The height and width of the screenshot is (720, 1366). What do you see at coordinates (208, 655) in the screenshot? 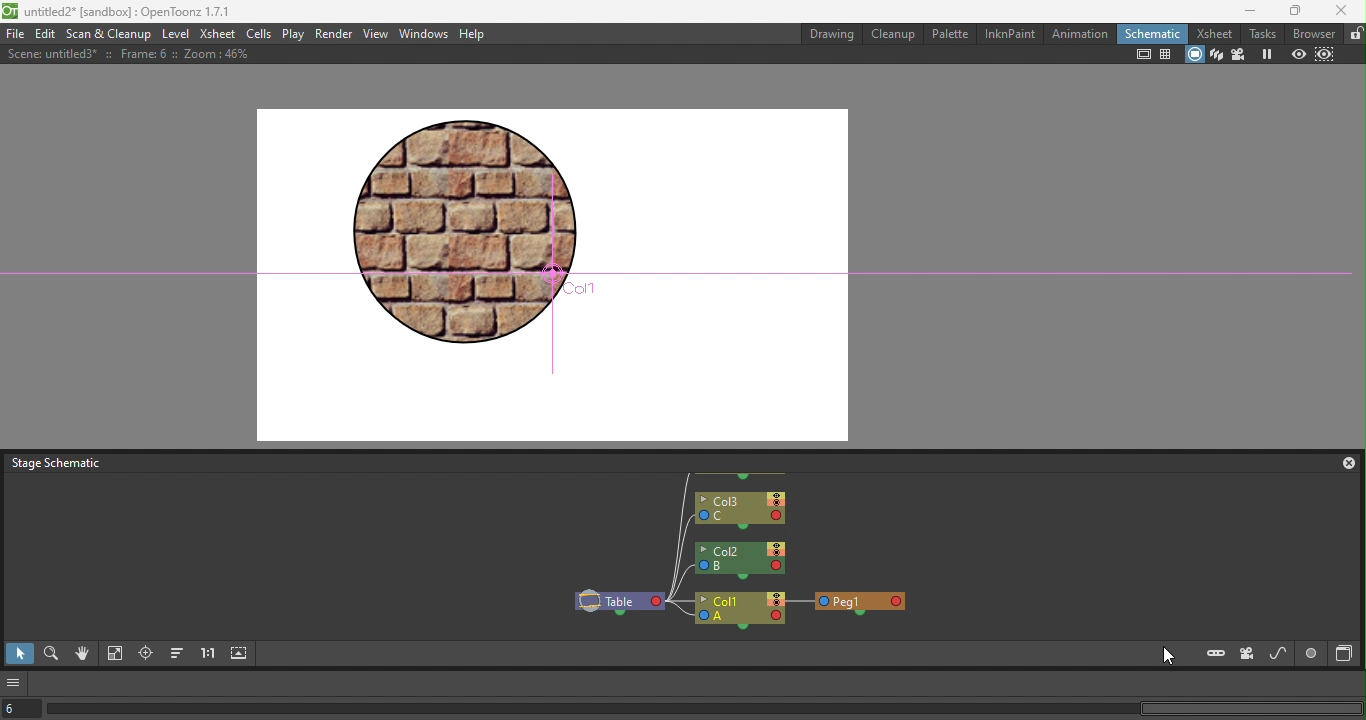
I see `Reset size` at bounding box center [208, 655].